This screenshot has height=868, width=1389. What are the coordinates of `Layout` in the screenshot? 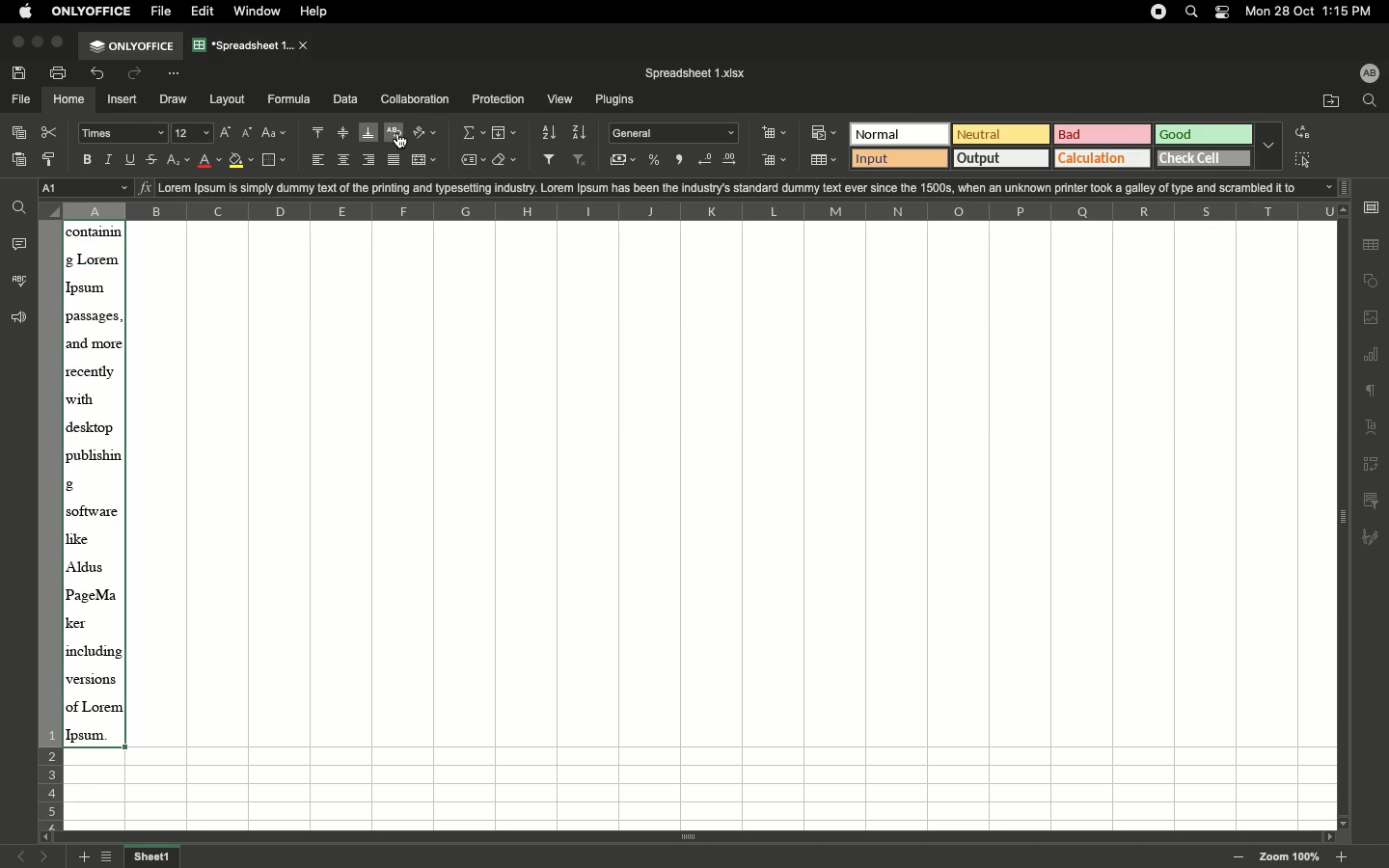 It's located at (229, 99).